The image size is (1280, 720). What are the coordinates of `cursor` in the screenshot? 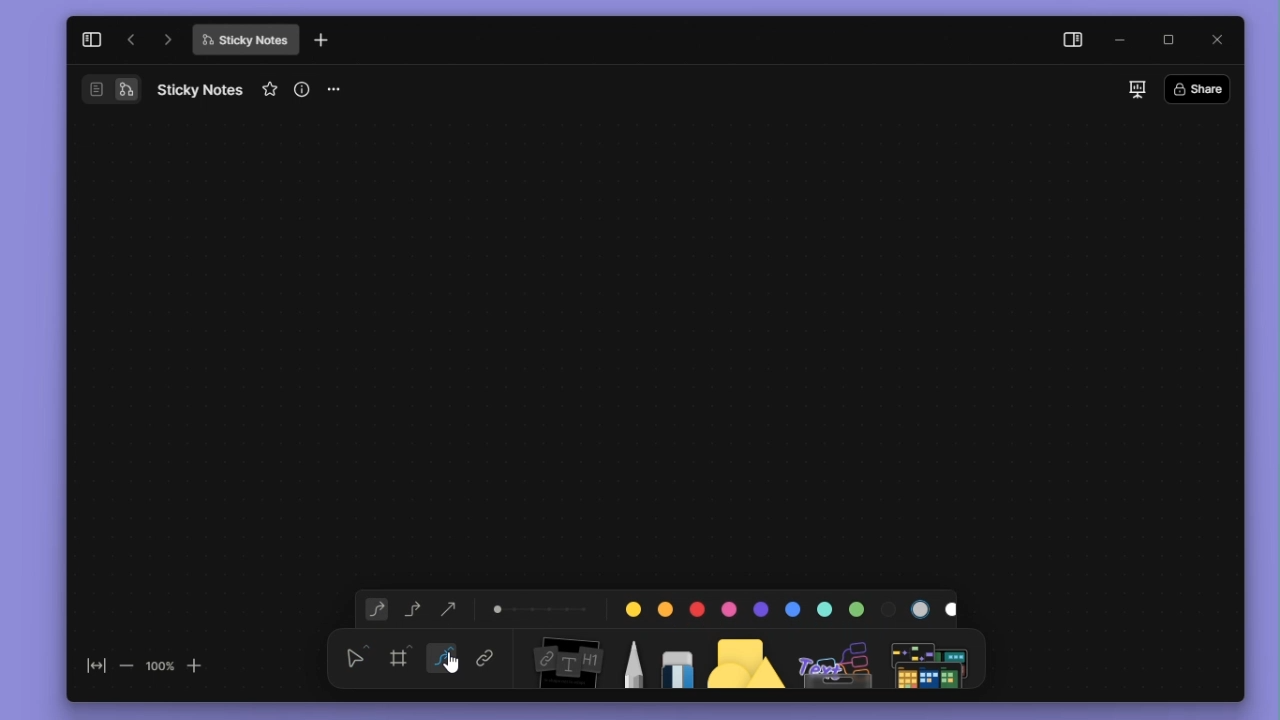 It's located at (456, 662).